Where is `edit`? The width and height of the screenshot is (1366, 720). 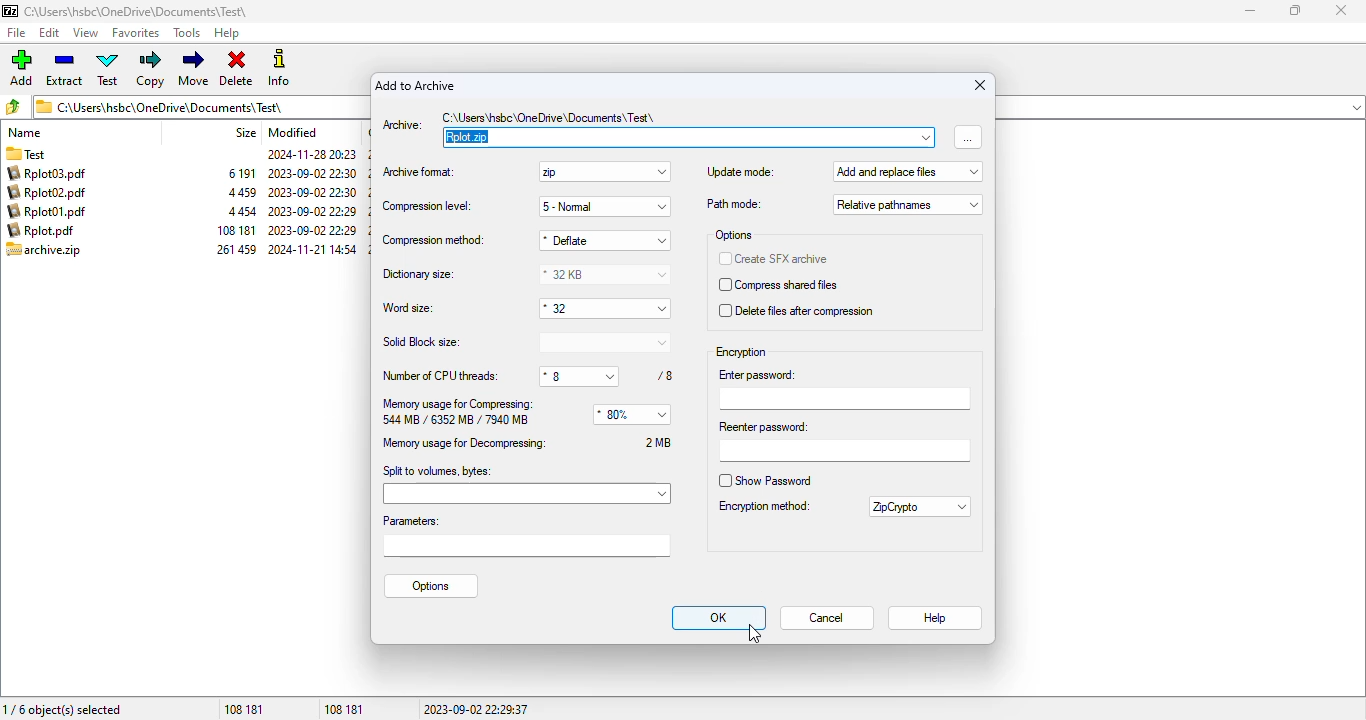 edit is located at coordinates (50, 32).